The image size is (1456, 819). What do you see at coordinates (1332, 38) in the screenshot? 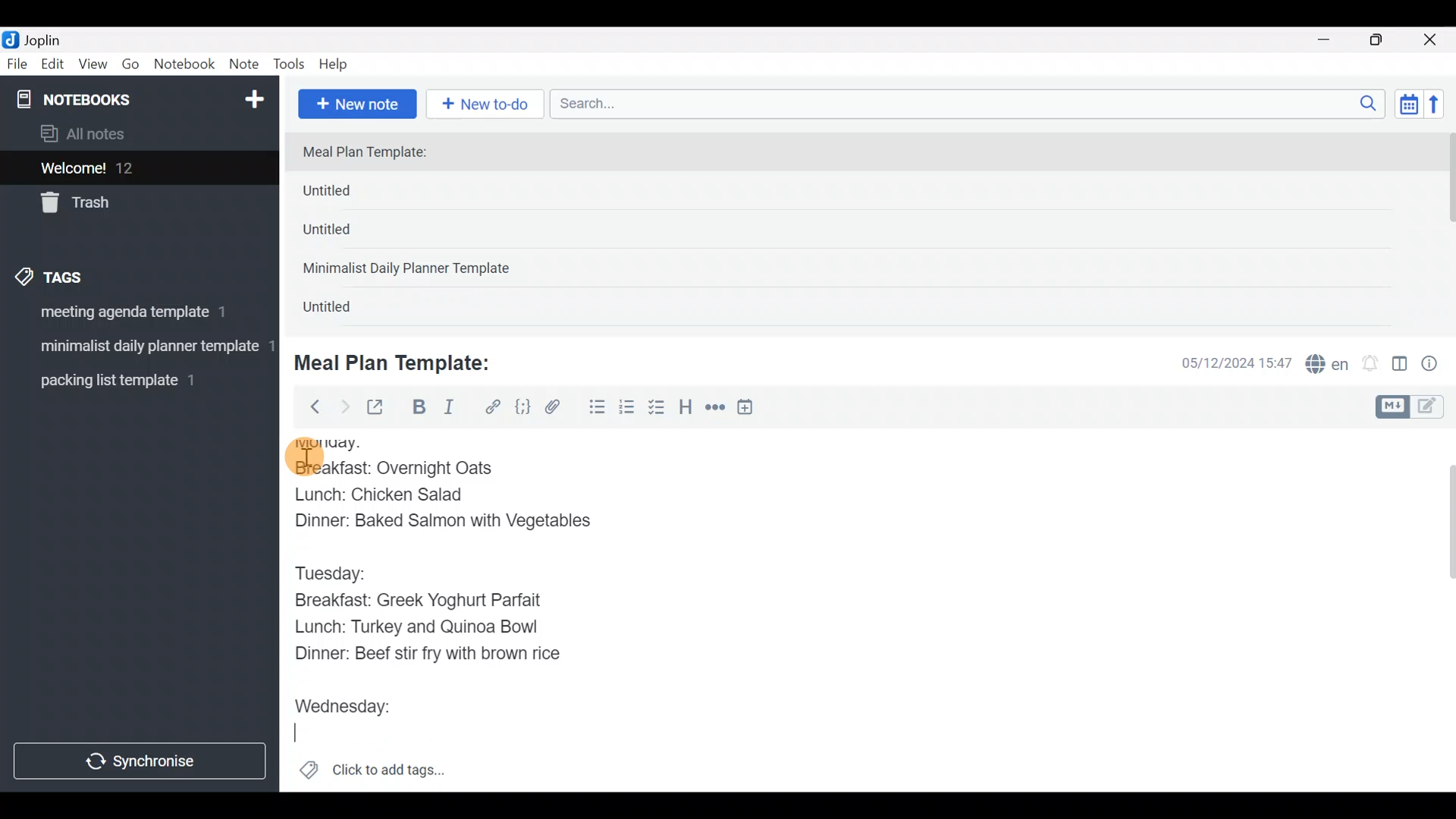
I see `Minimize` at bounding box center [1332, 38].